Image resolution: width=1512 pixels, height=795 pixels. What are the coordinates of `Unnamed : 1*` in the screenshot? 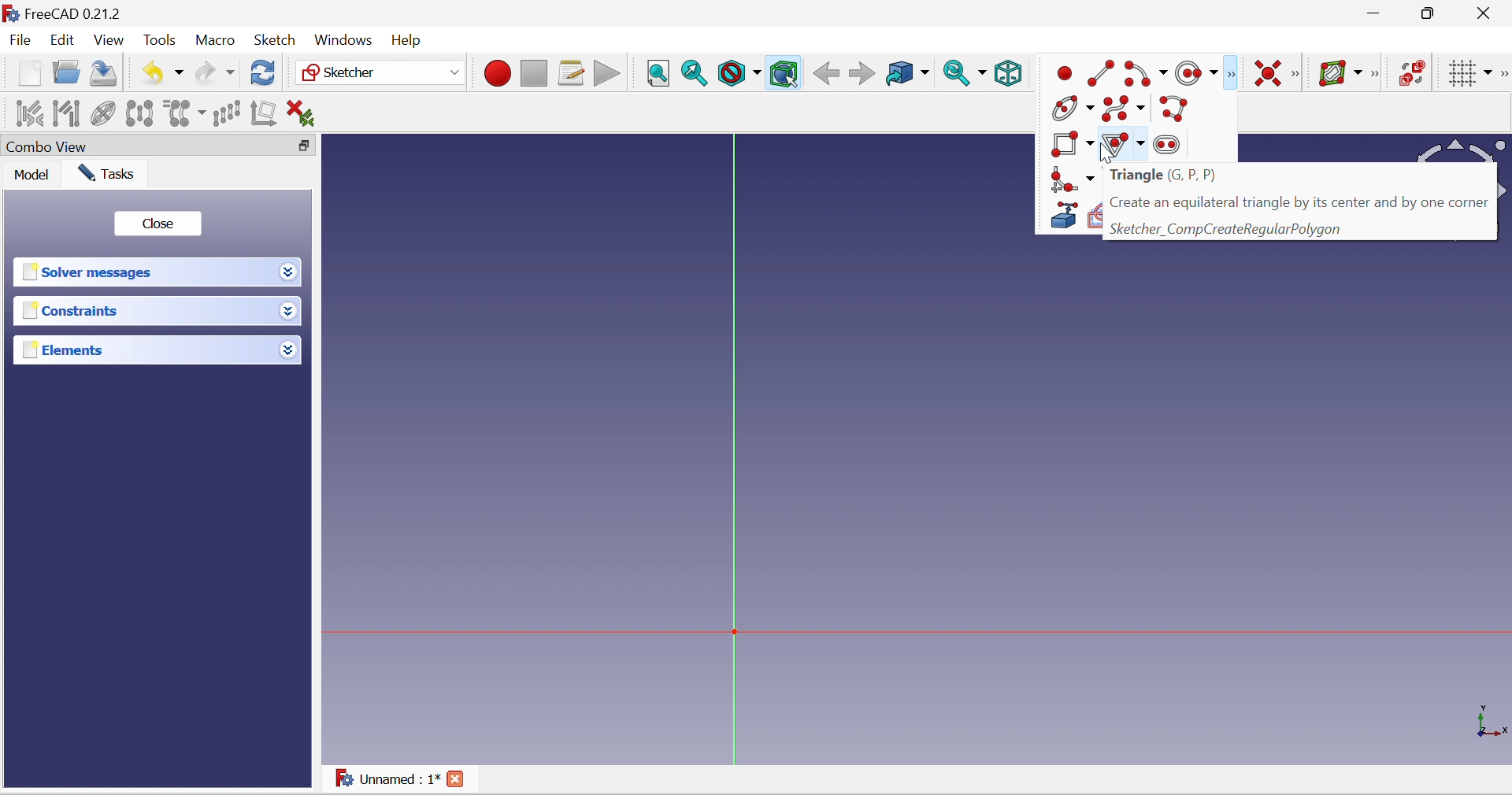 It's located at (388, 777).